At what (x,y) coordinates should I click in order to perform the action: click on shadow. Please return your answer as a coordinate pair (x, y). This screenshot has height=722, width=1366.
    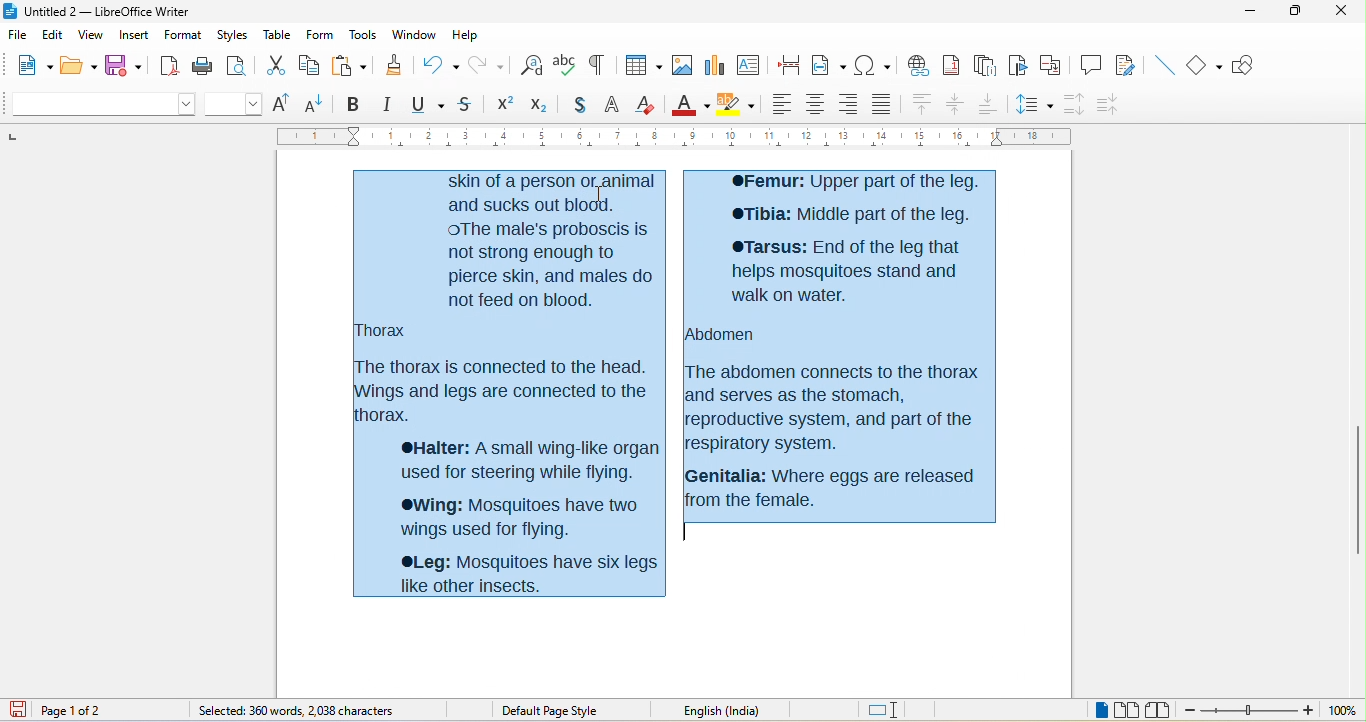
    Looking at the image, I should click on (576, 105).